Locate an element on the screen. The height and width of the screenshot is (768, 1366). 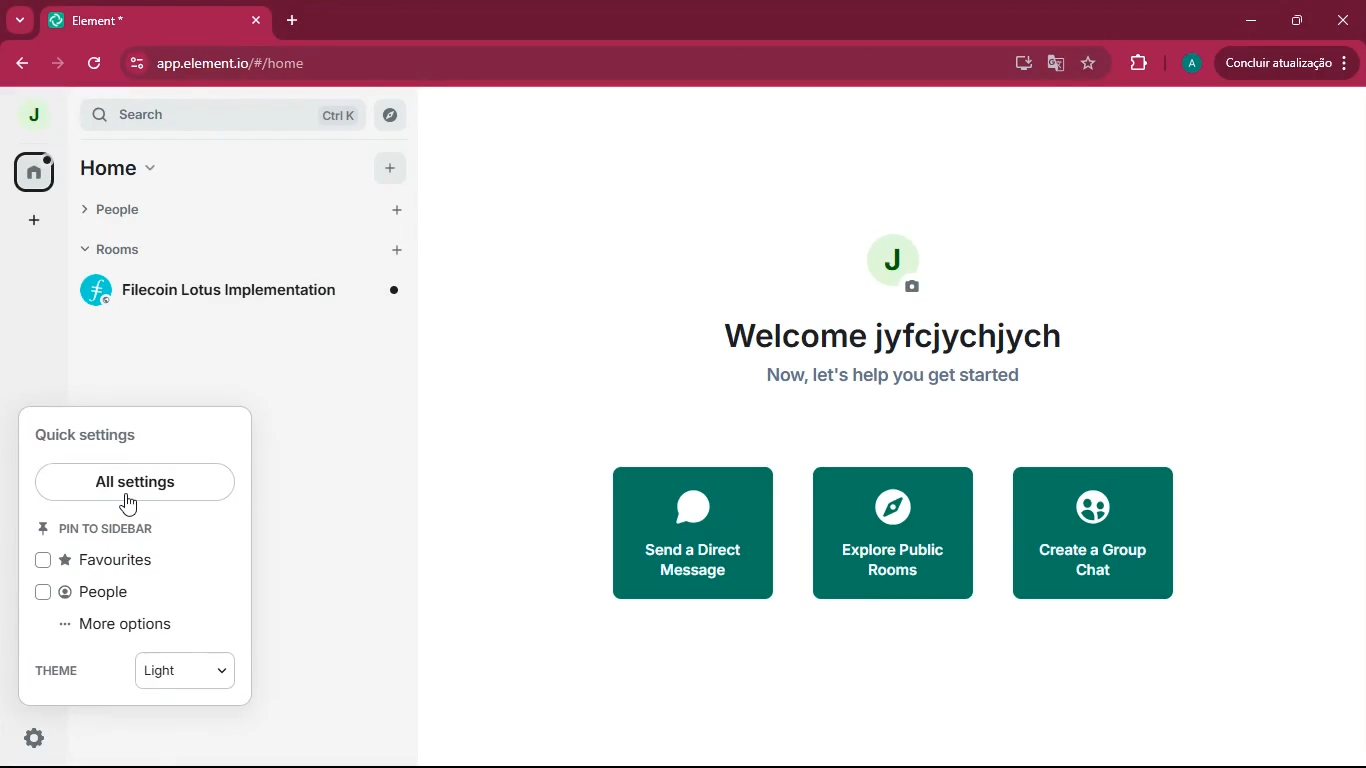
Cursor is located at coordinates (134, 503).